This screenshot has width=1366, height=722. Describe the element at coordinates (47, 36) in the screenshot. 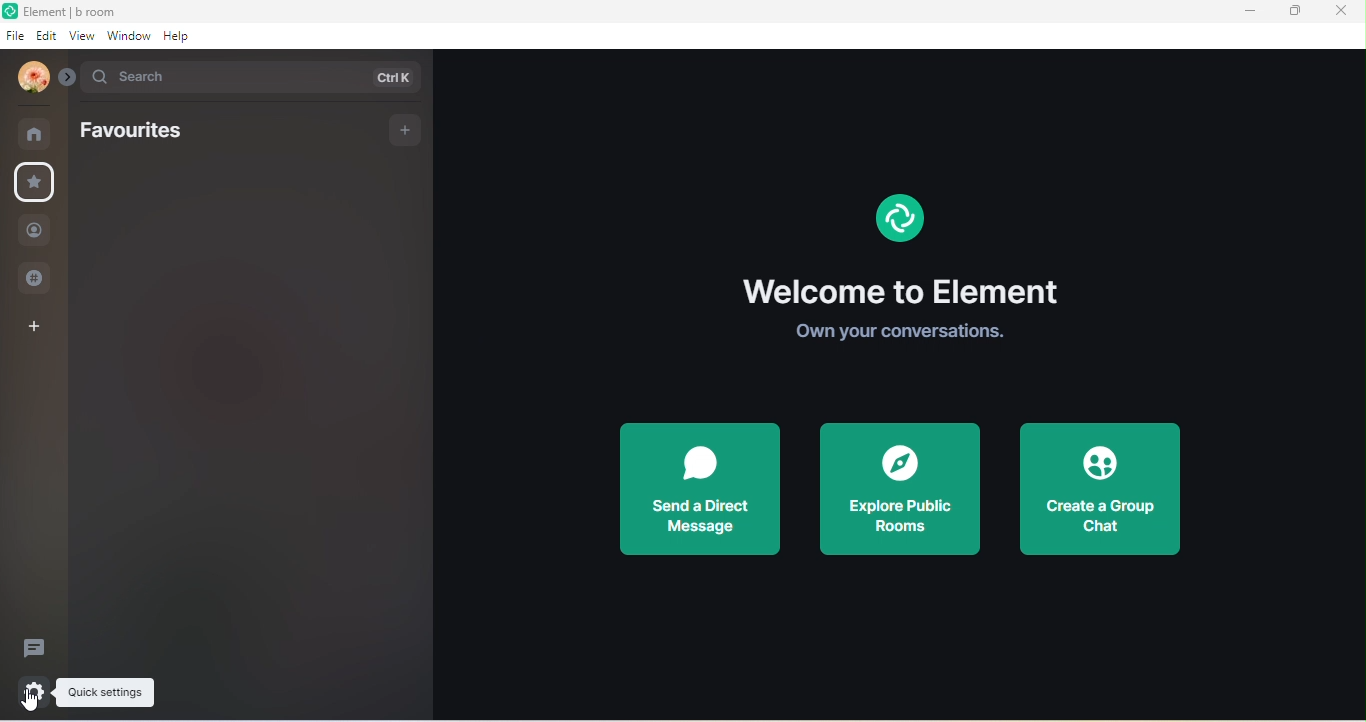

I see `edit` at that location.